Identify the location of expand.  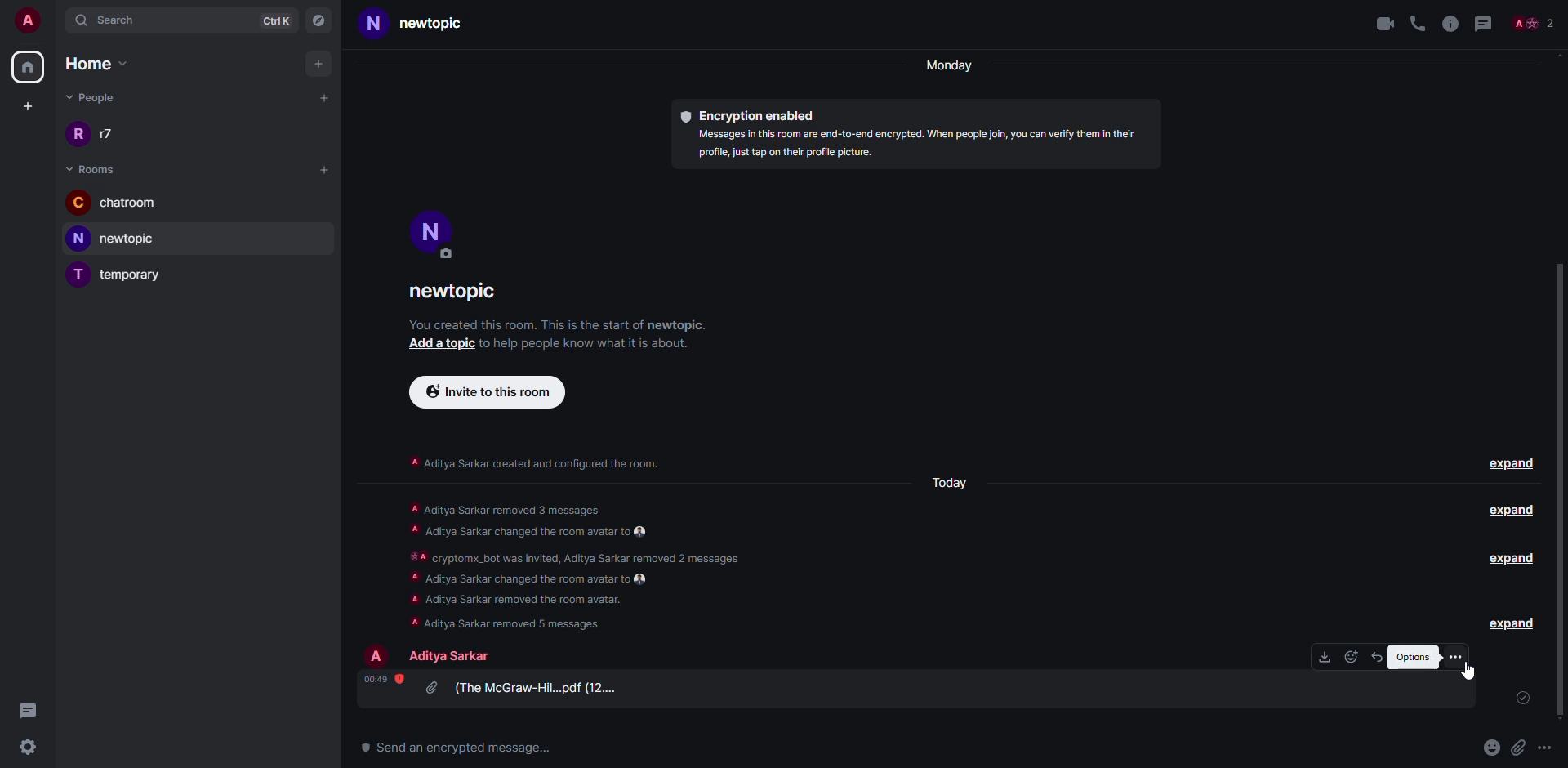
(1514, 623).